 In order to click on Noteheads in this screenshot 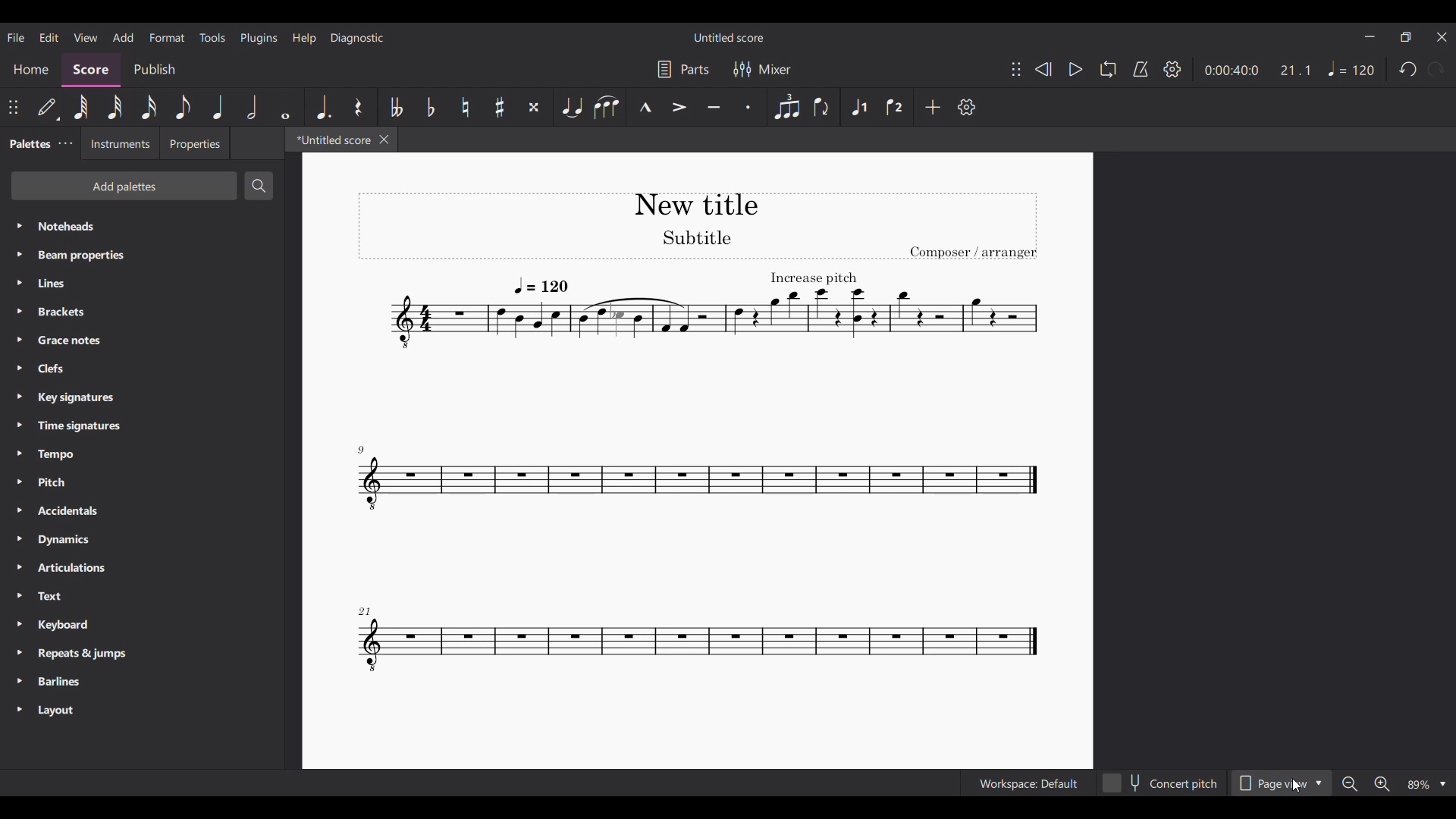, I will do `click(144, 225)`.